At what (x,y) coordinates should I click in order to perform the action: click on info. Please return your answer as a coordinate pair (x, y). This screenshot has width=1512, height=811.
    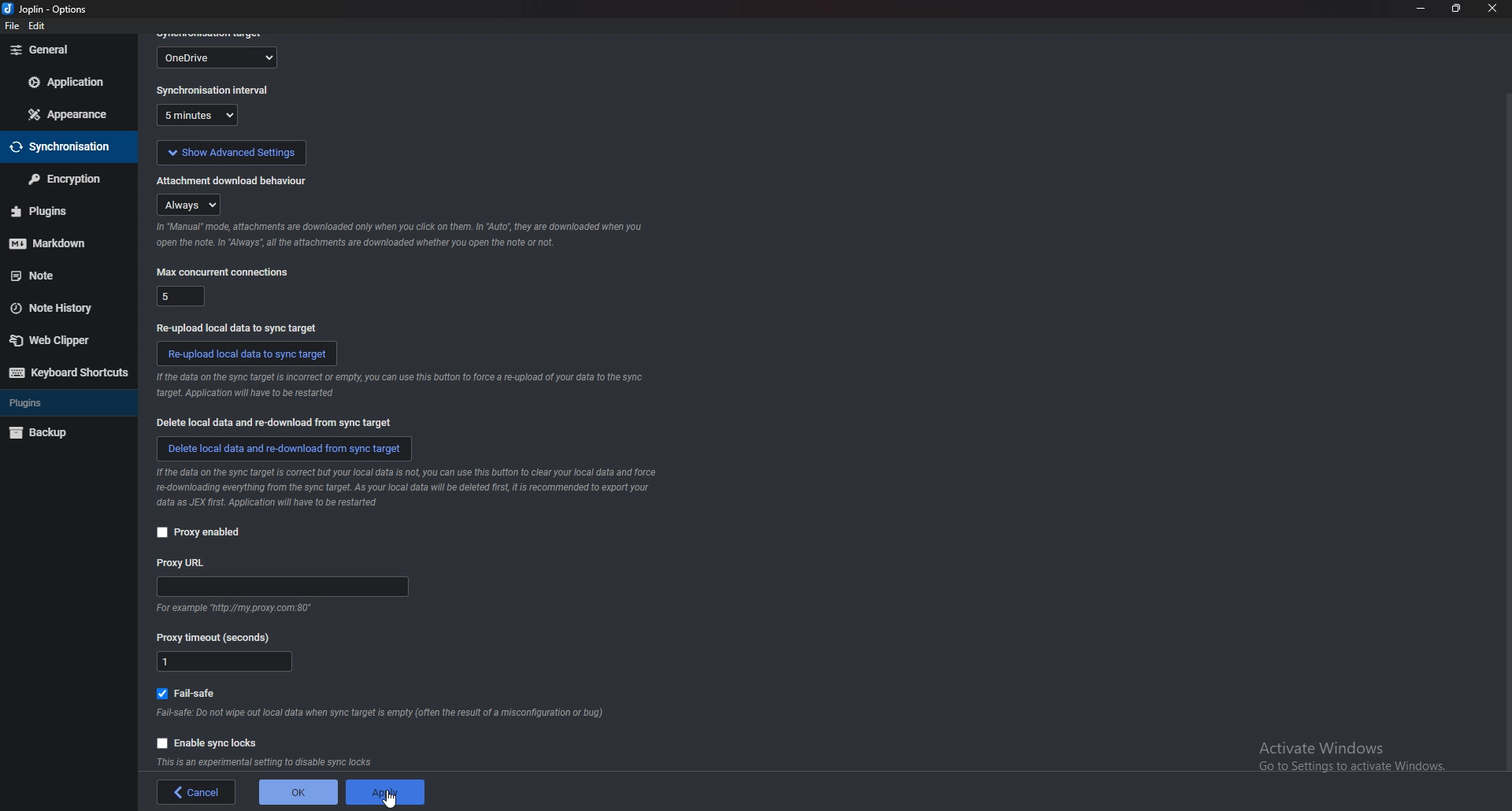
    Looking at the image, I should click on (417, 487).